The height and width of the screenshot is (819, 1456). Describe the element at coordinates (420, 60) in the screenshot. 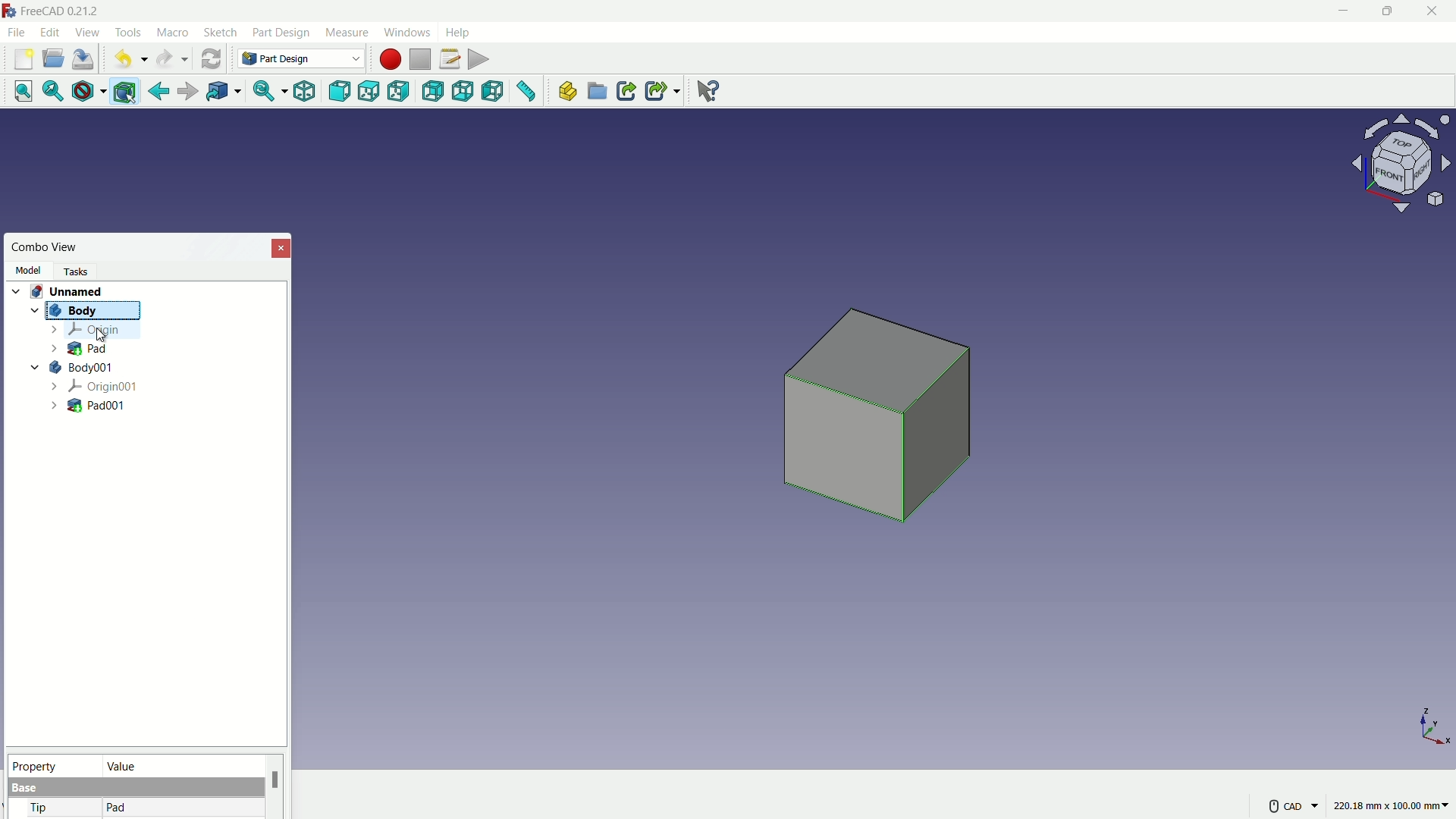

I see `stop macros` at that location.